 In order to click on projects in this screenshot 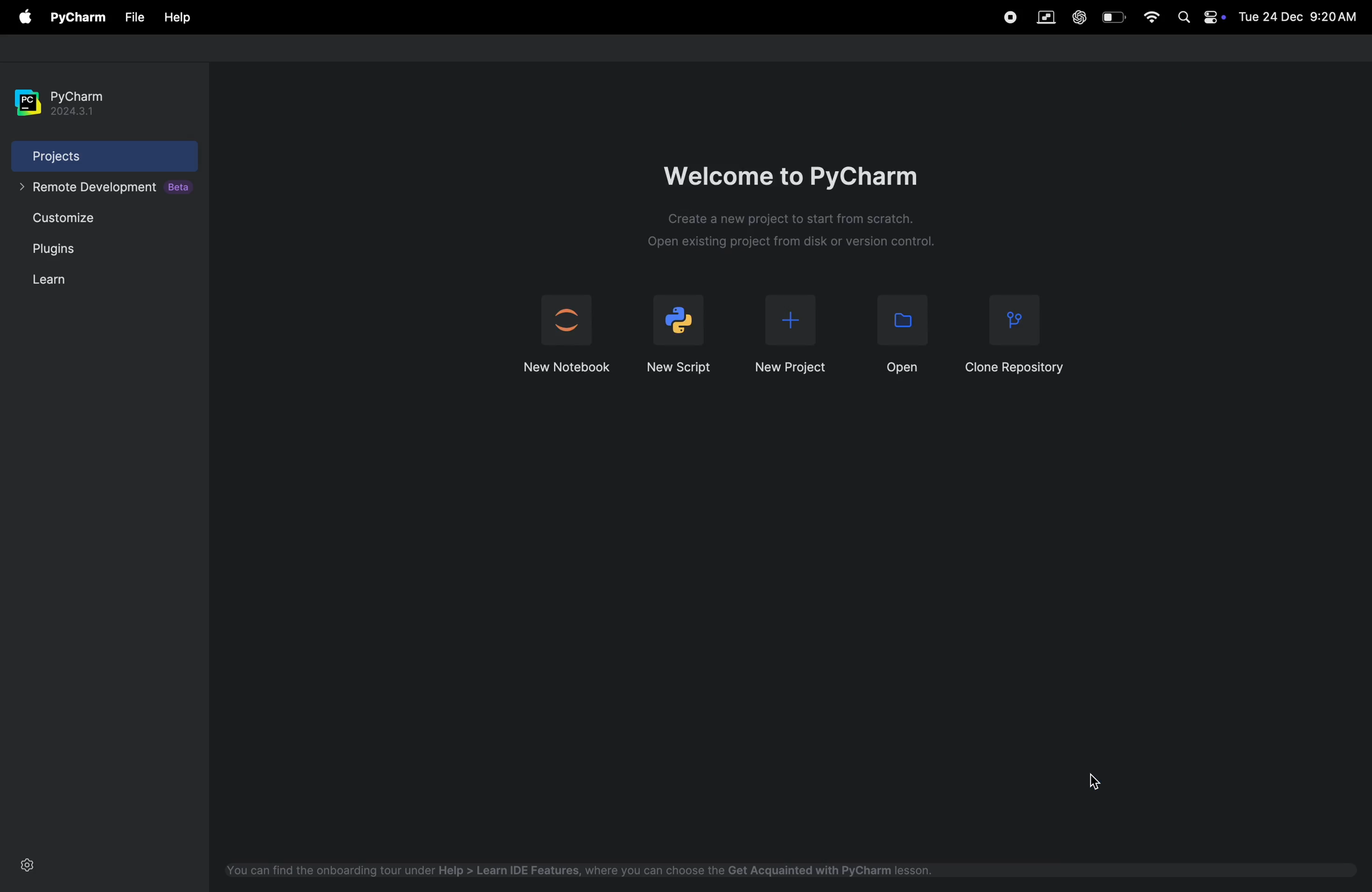, I will do `click(105, 155)`.